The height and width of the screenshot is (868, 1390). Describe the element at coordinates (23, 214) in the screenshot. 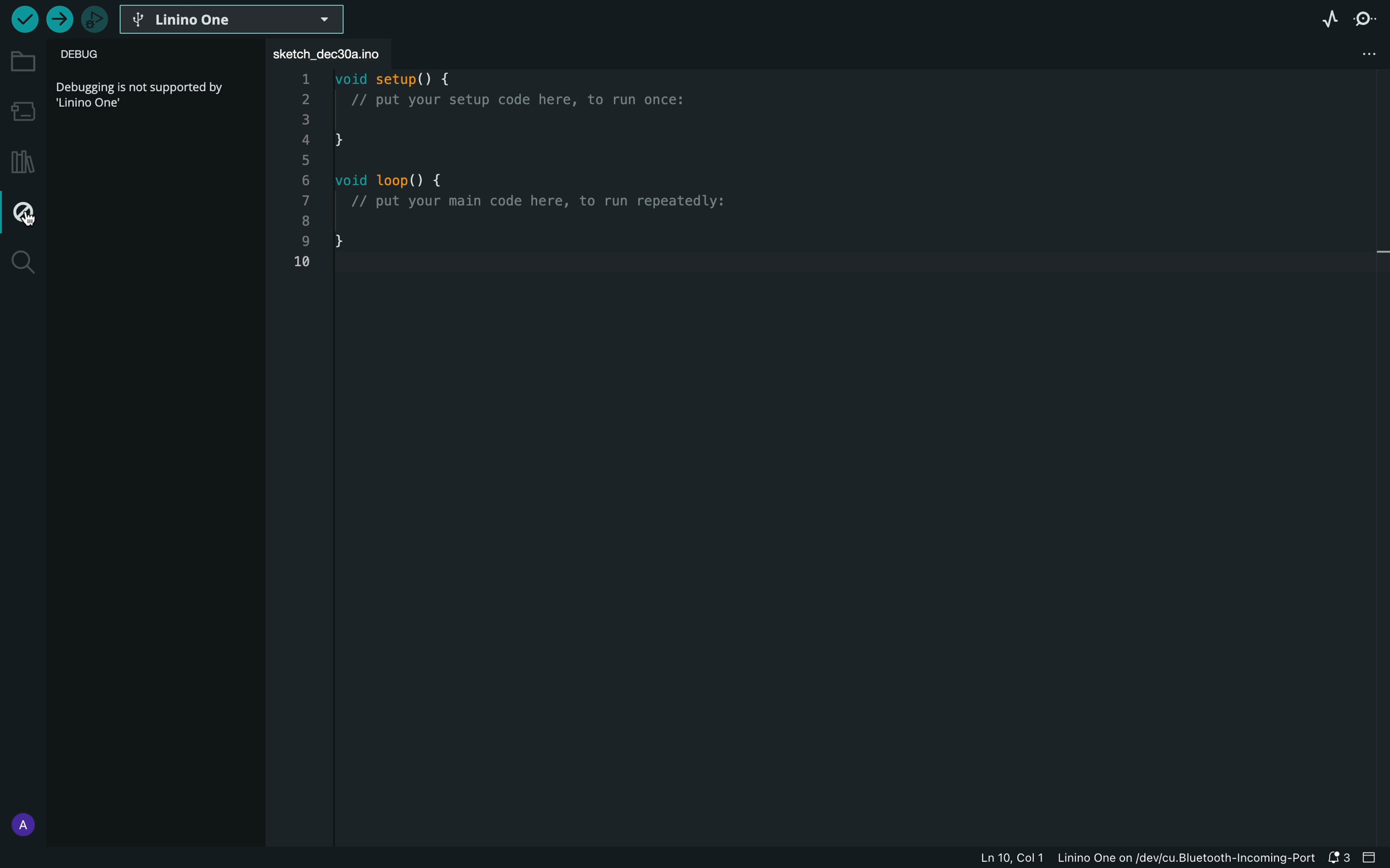

I see `debug` at that location.